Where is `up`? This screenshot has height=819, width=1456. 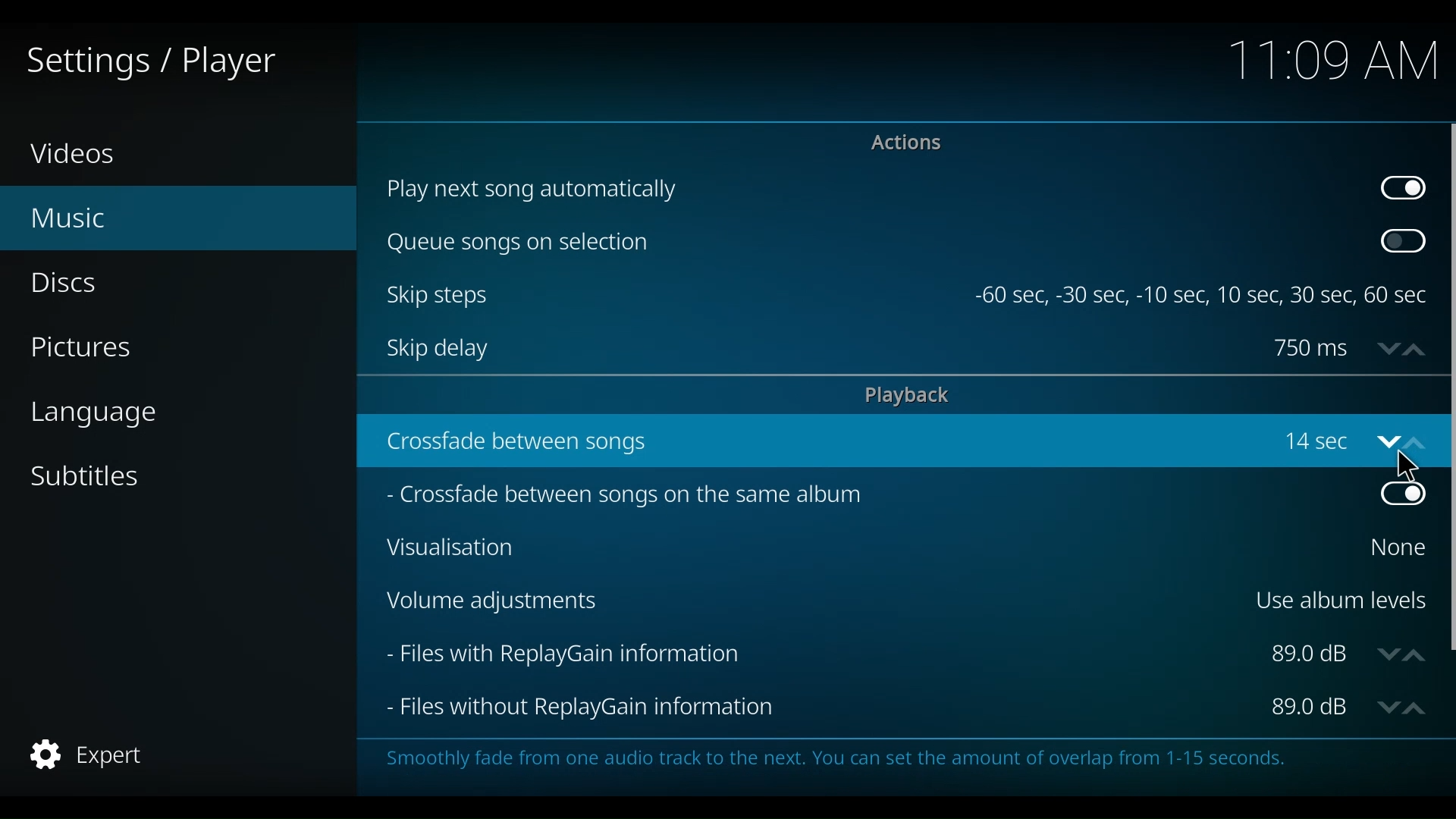 up is located at coordinates (1418, 444).